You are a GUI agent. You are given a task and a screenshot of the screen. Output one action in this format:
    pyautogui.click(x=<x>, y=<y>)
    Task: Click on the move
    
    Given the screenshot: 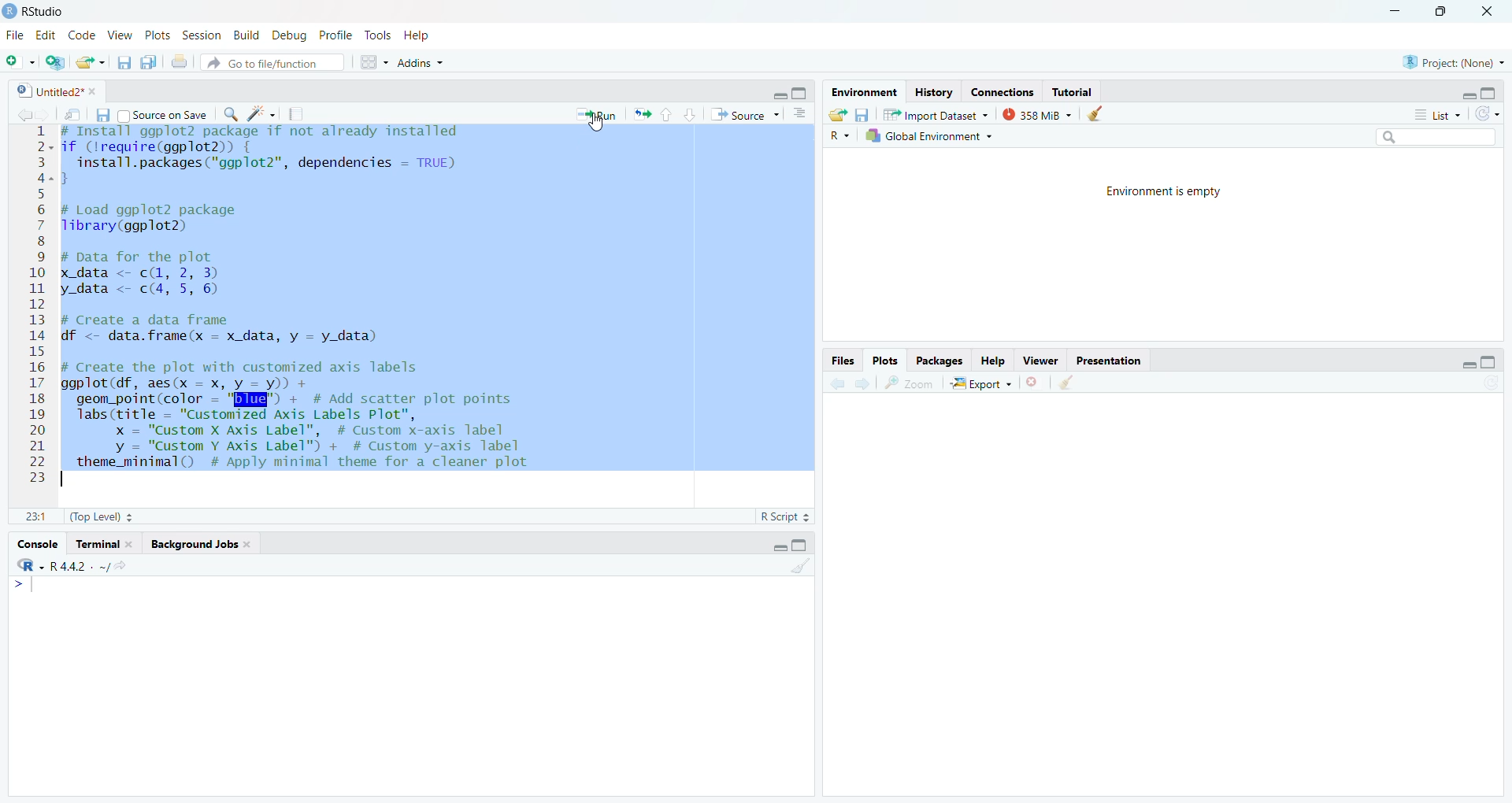 What is the action you would take?
    pyautogui.click(x=74, y=117)
    